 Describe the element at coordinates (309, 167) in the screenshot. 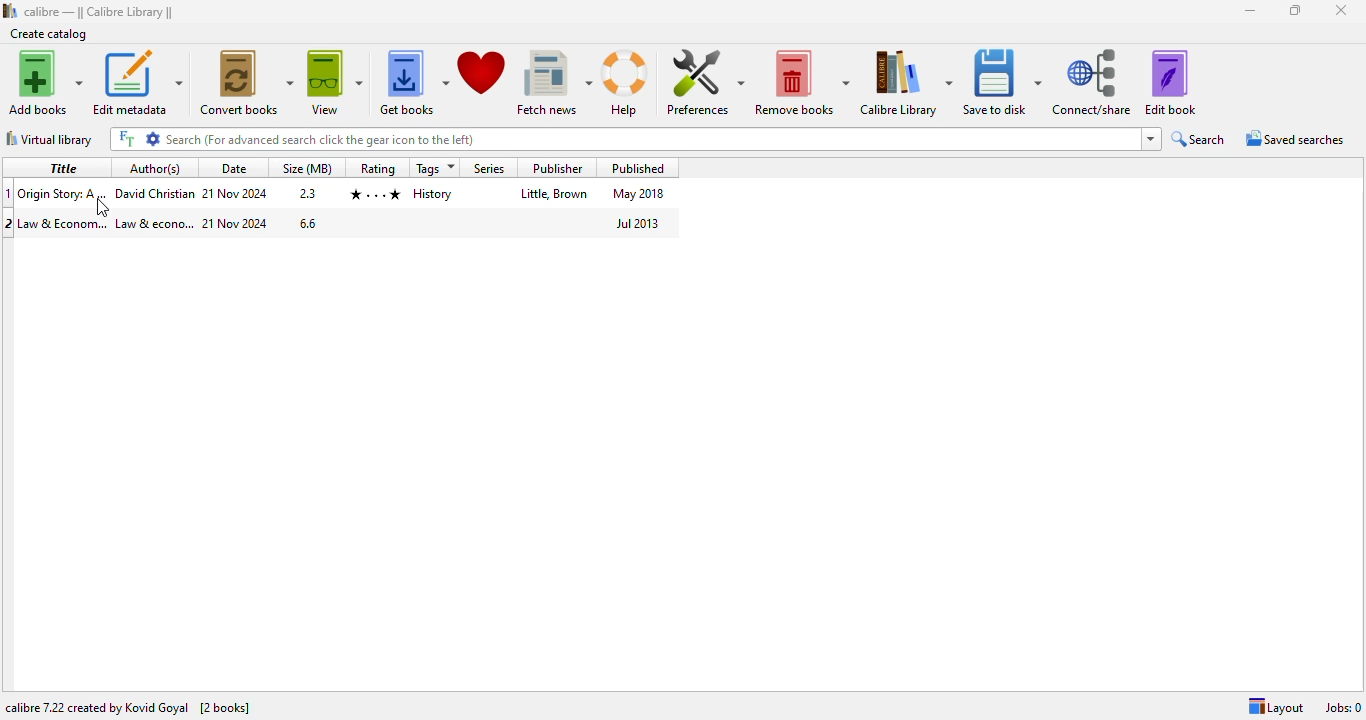

I see `size (MB)` at that location.